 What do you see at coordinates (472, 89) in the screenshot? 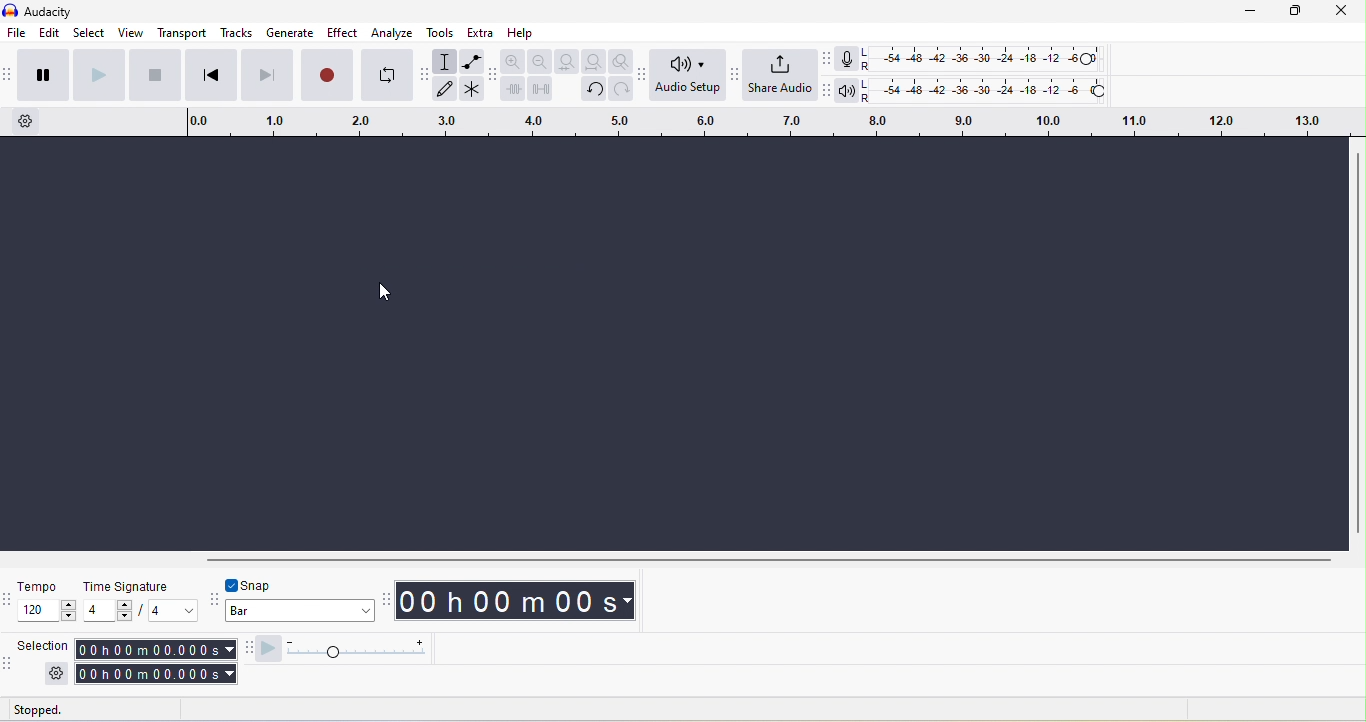
I see `multi-tool` at bounding box center [472, 89].